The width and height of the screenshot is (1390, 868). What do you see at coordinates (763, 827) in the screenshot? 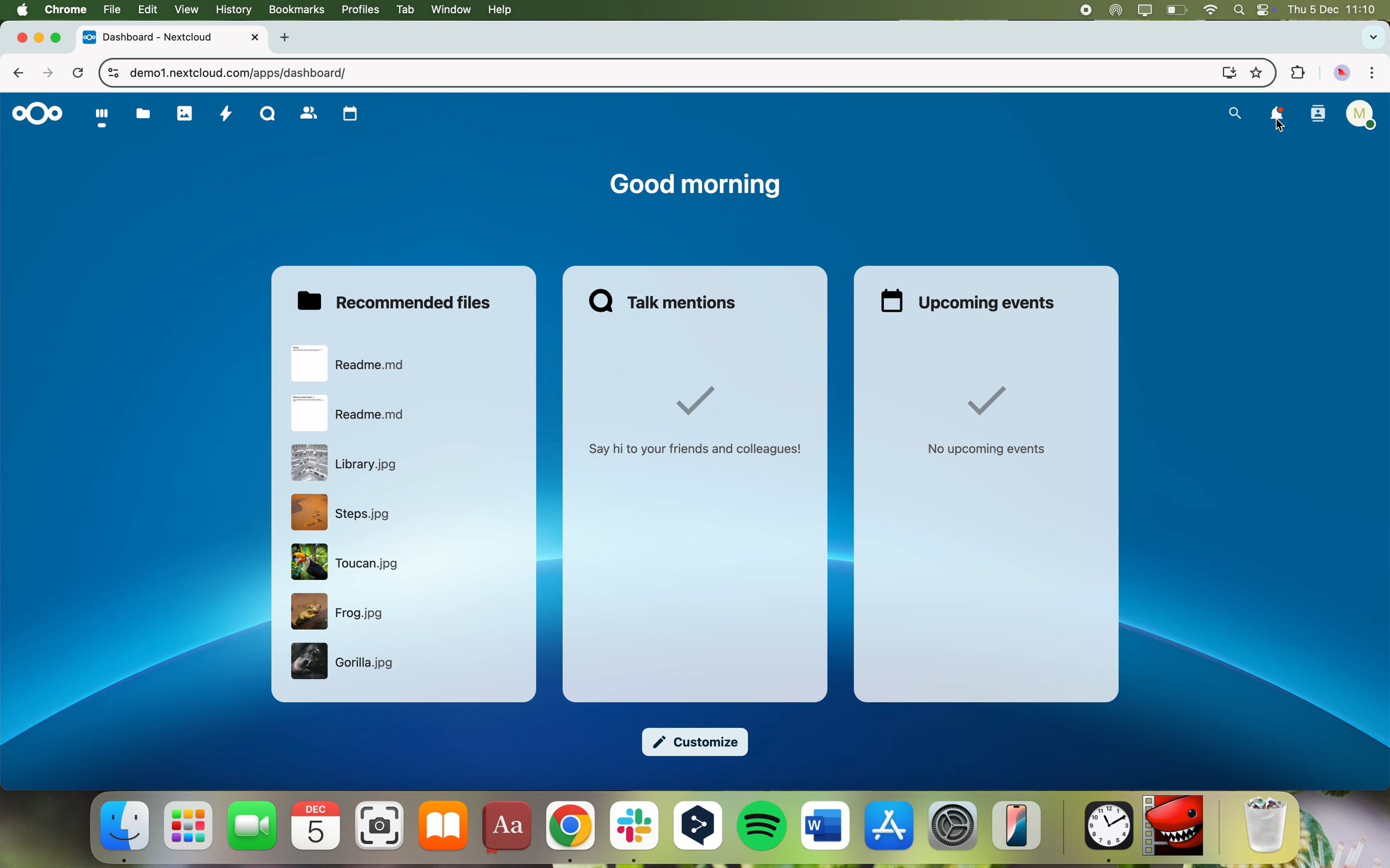
I see `Spotify` at bounding box center [763, 827].